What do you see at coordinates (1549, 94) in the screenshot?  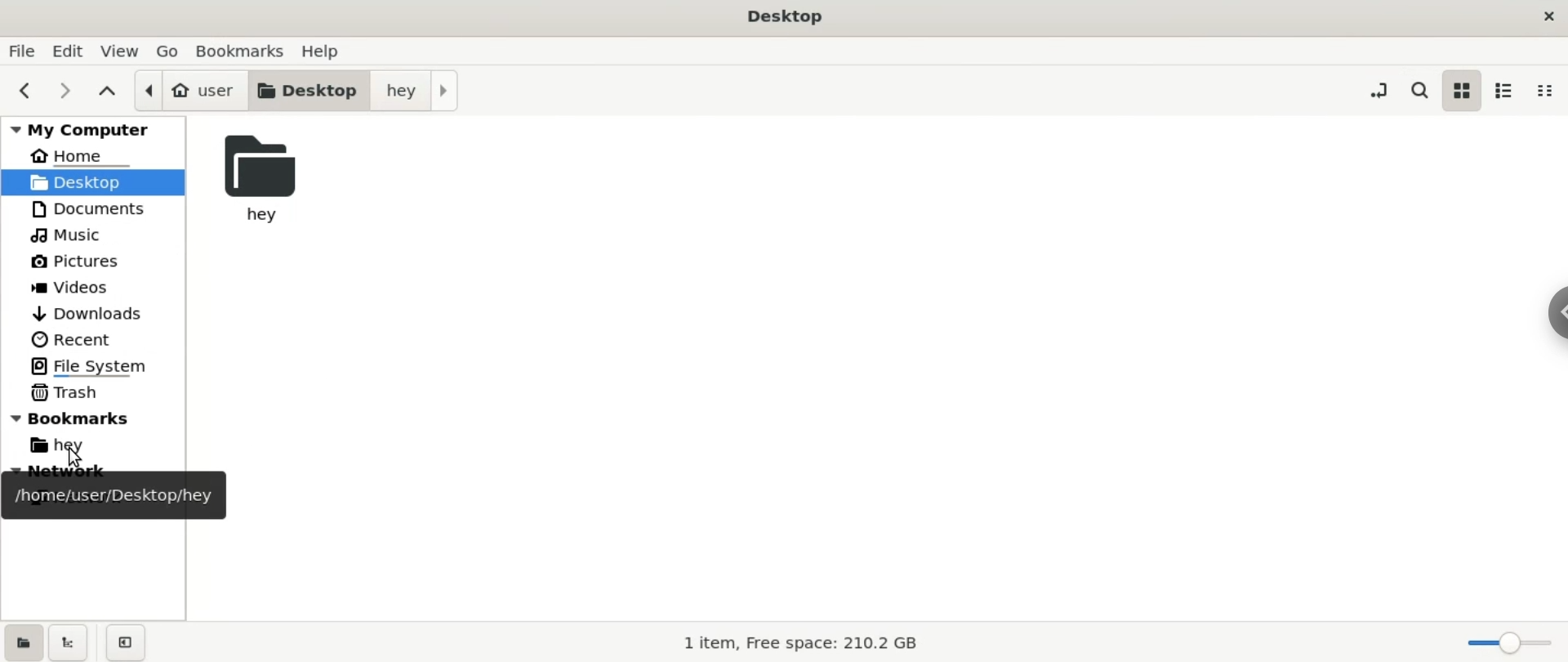 I see `compact view` at bounding box center [1549, 94].